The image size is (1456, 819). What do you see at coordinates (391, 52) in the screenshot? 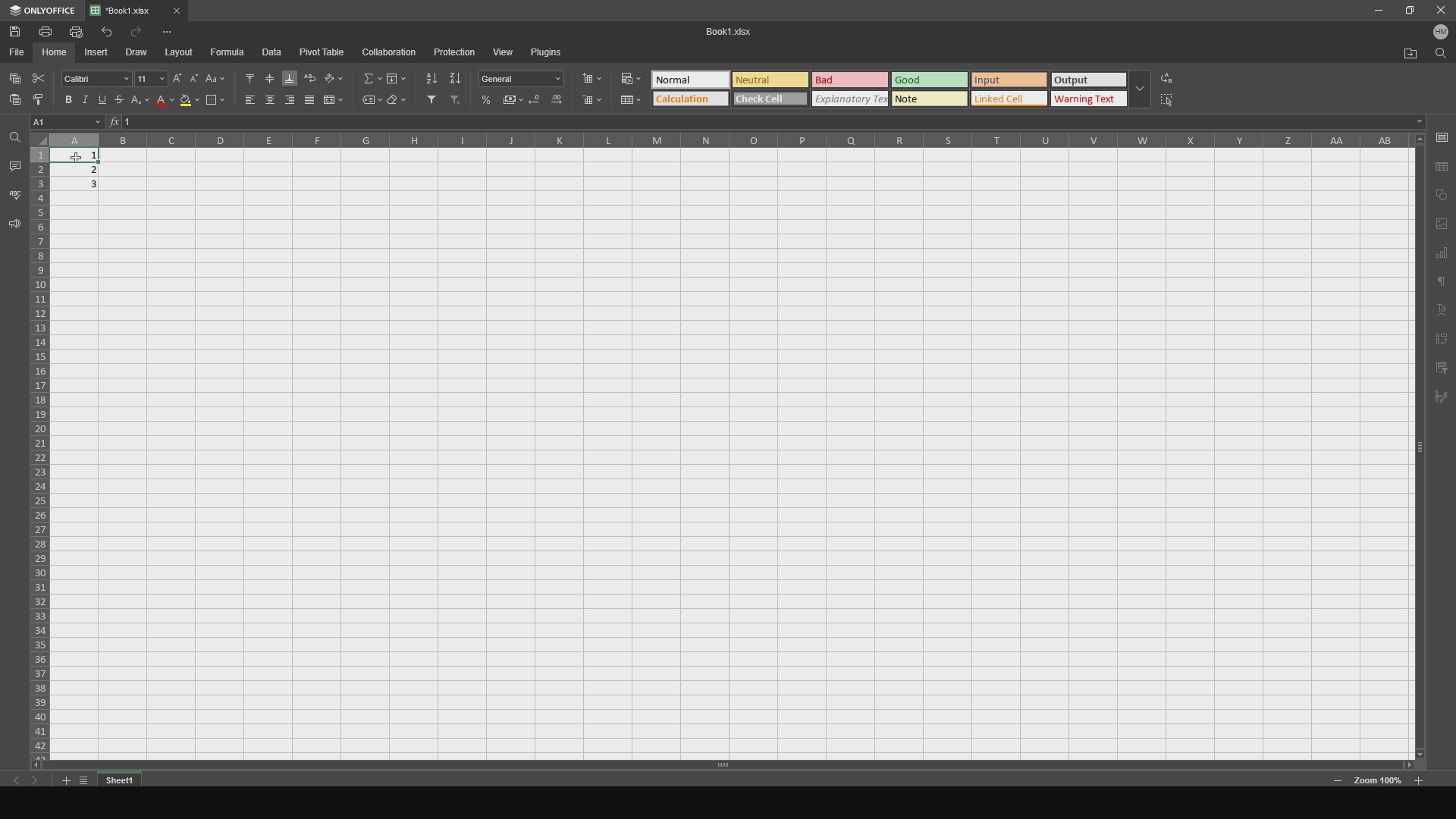
I see `collaboration` at bounding box center [391, 52].